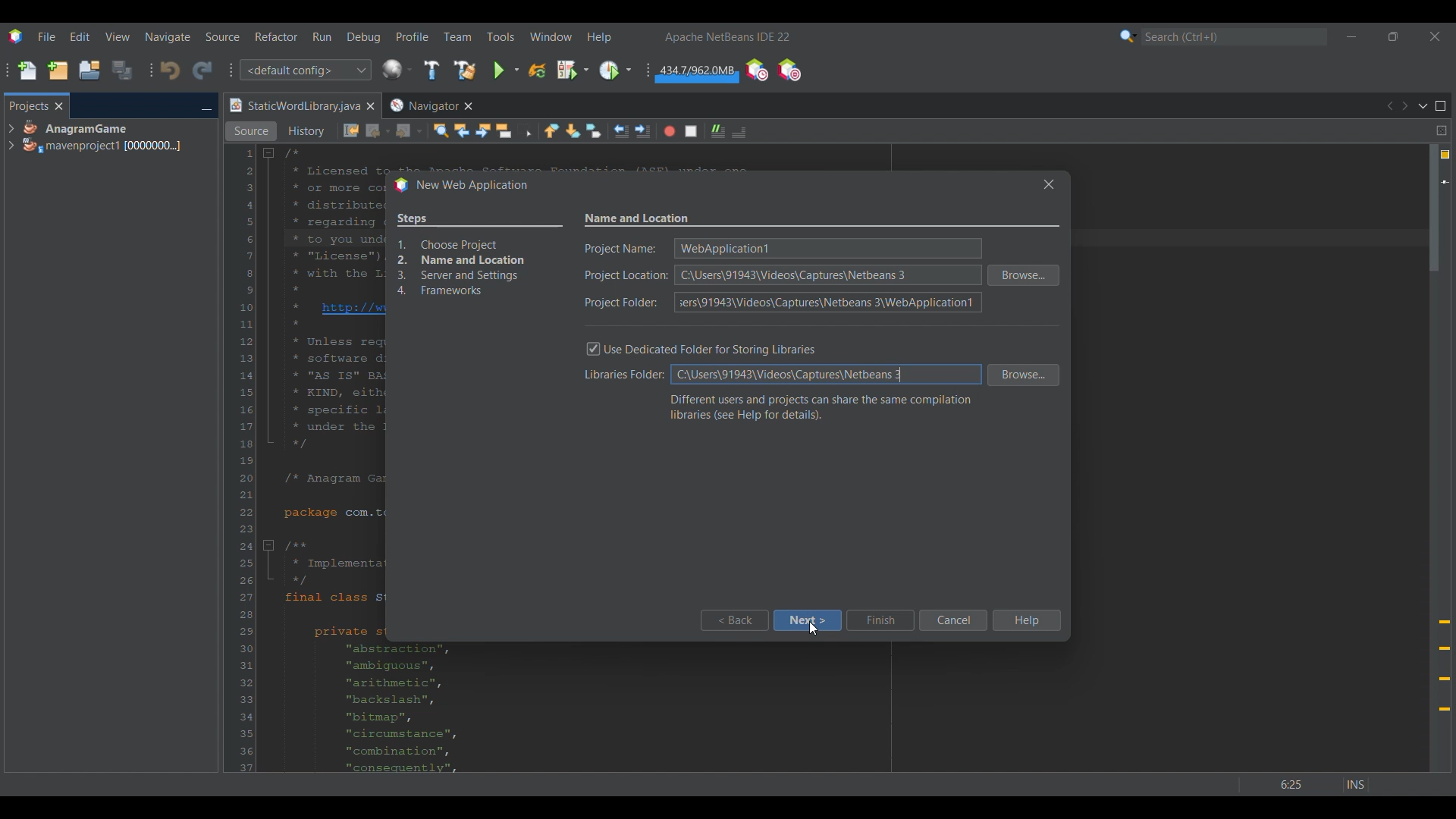  Describe the element at coordinates (1045, 184) in the screenshot. I see `` at that location.